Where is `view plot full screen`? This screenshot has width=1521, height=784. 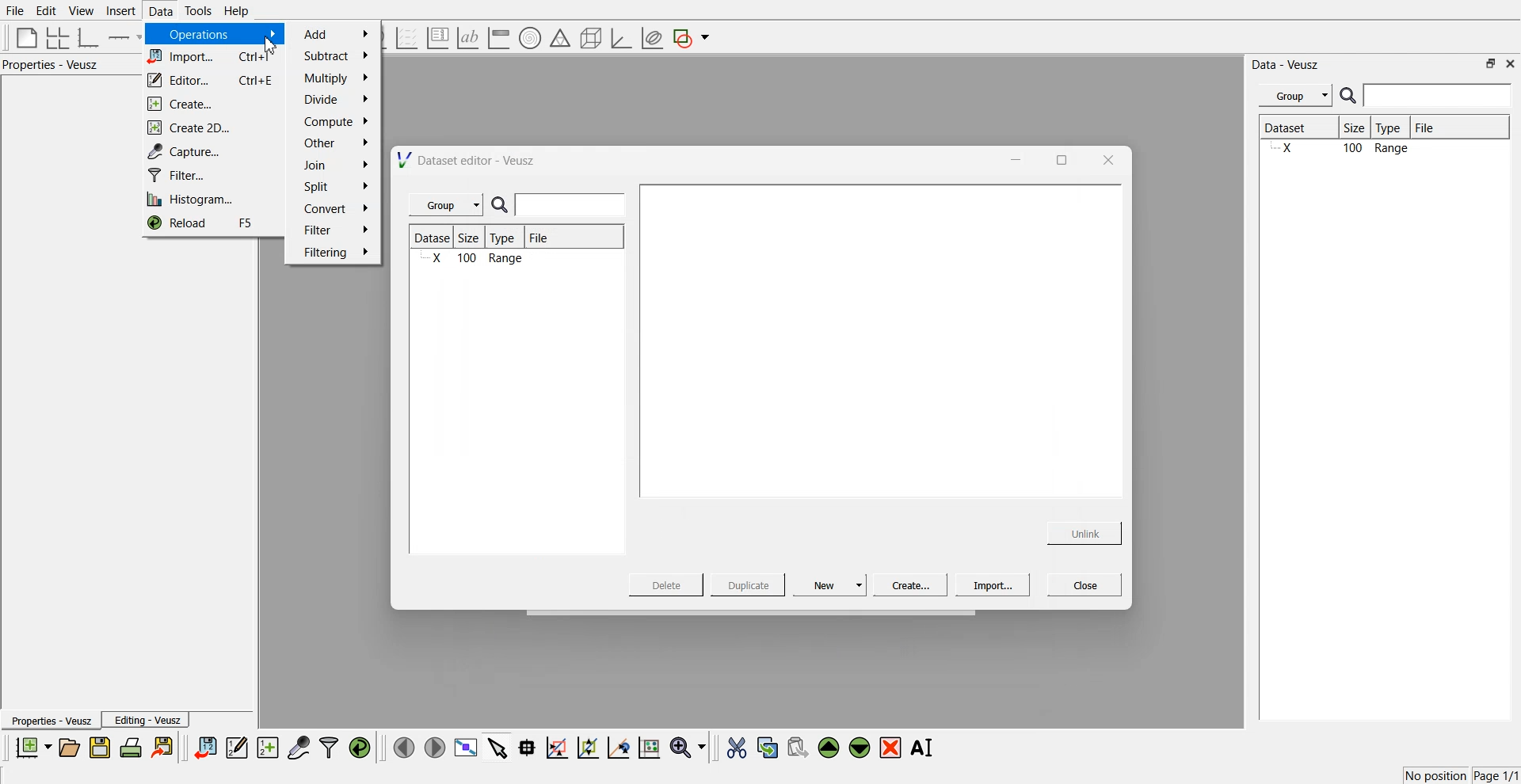
view plot full screen is located at coordinates (465, 748).